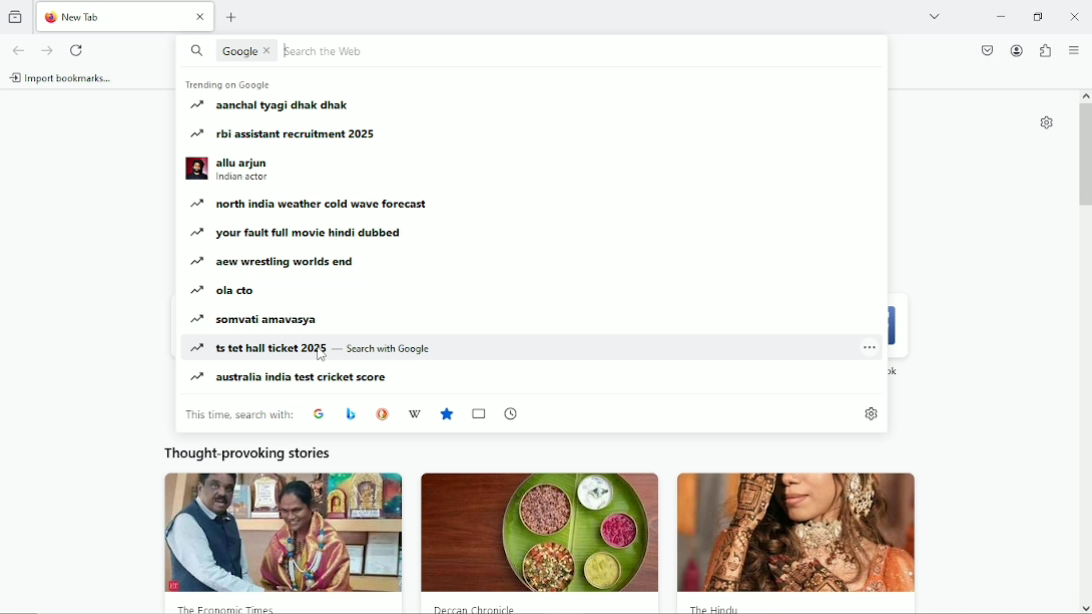 Image resolution: width=1092 pixels, height=614 pixels. What do you see at coordinates (284, 533) in the screenshot?
I see `image` at bounding box center [284, 533].